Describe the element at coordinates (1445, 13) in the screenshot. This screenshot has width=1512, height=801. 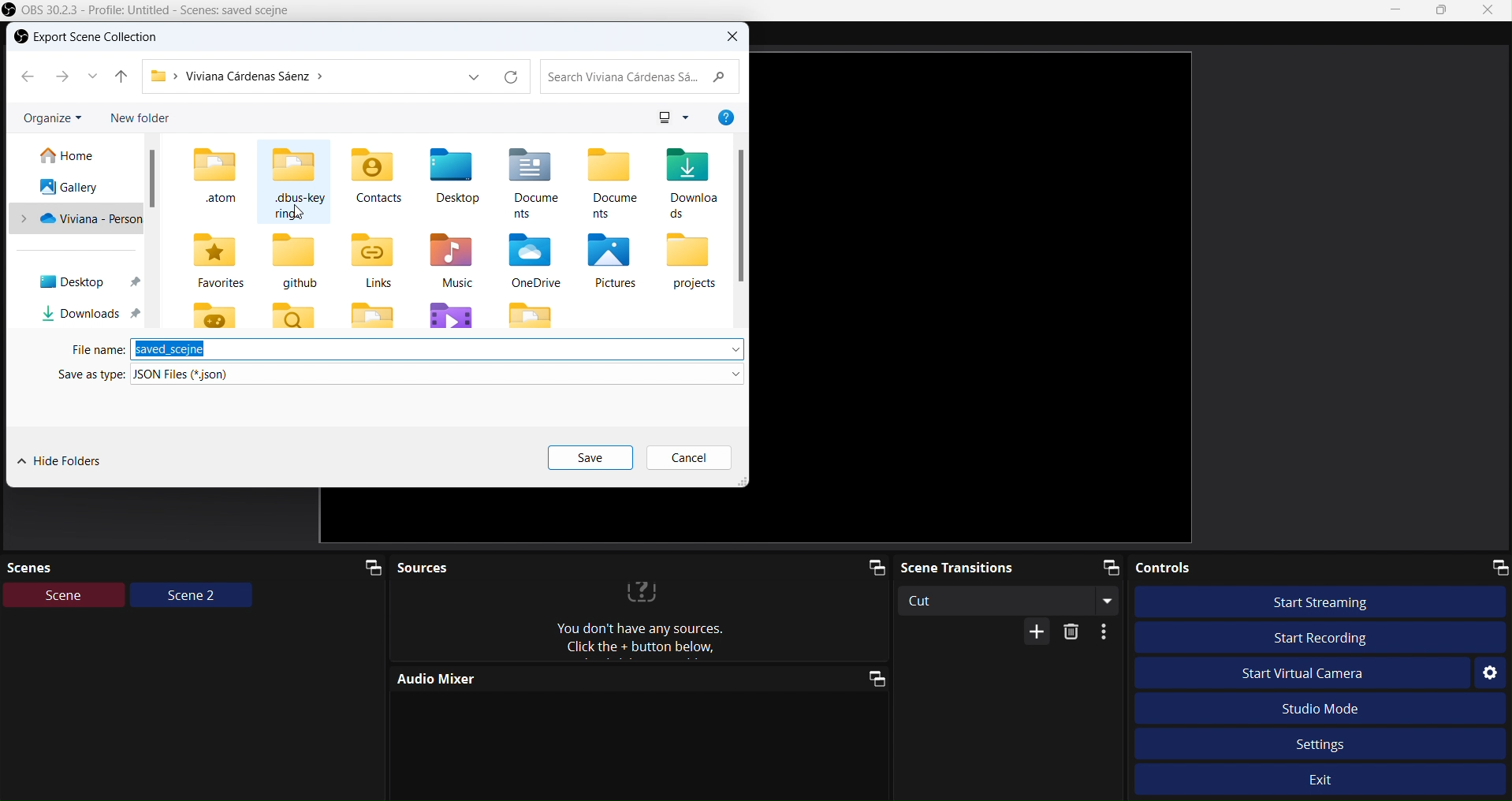
I see `Box` at that location.